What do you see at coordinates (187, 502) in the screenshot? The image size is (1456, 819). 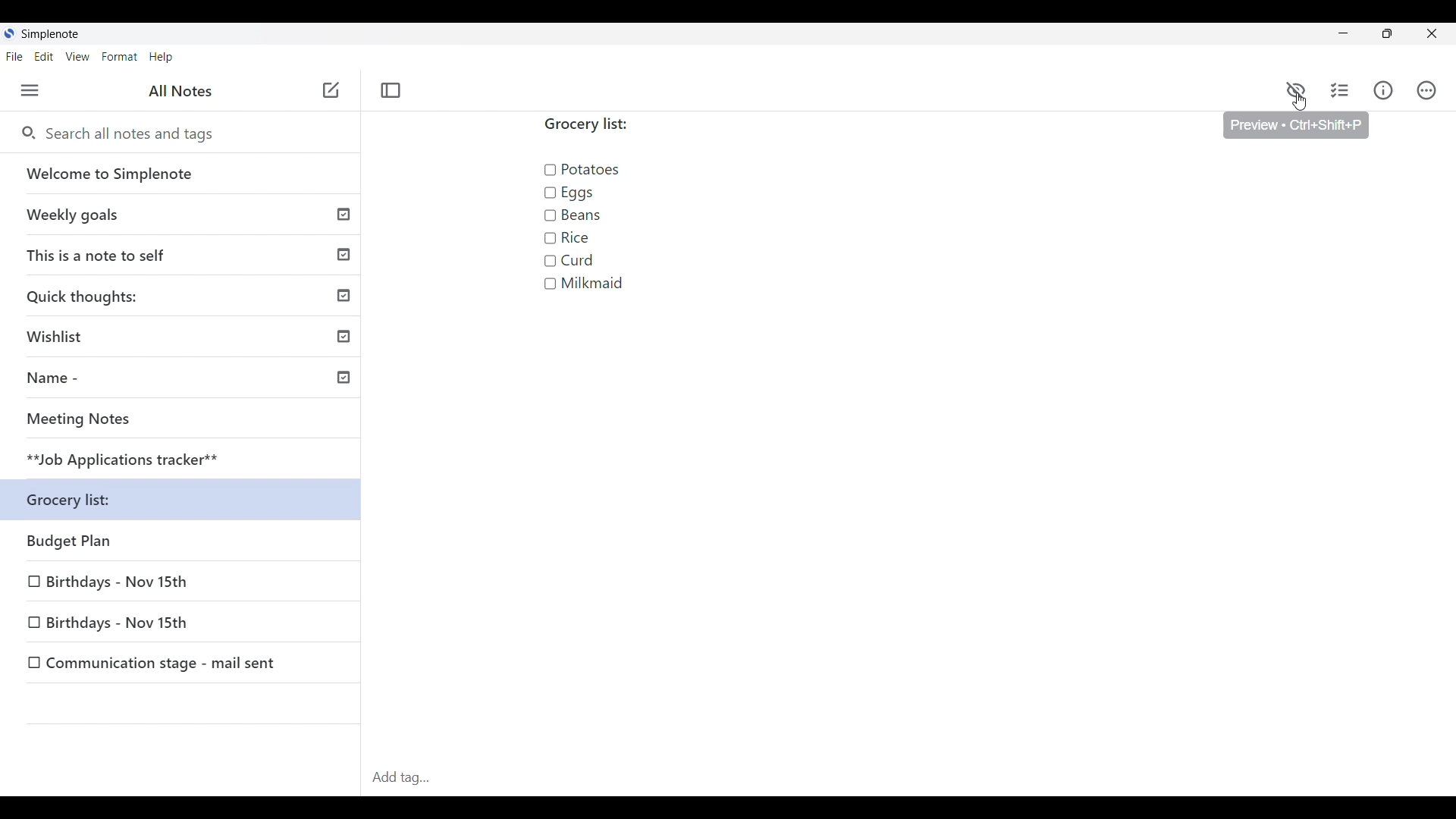 I see `**Grocery list:**` at bounding box center [187, 502].